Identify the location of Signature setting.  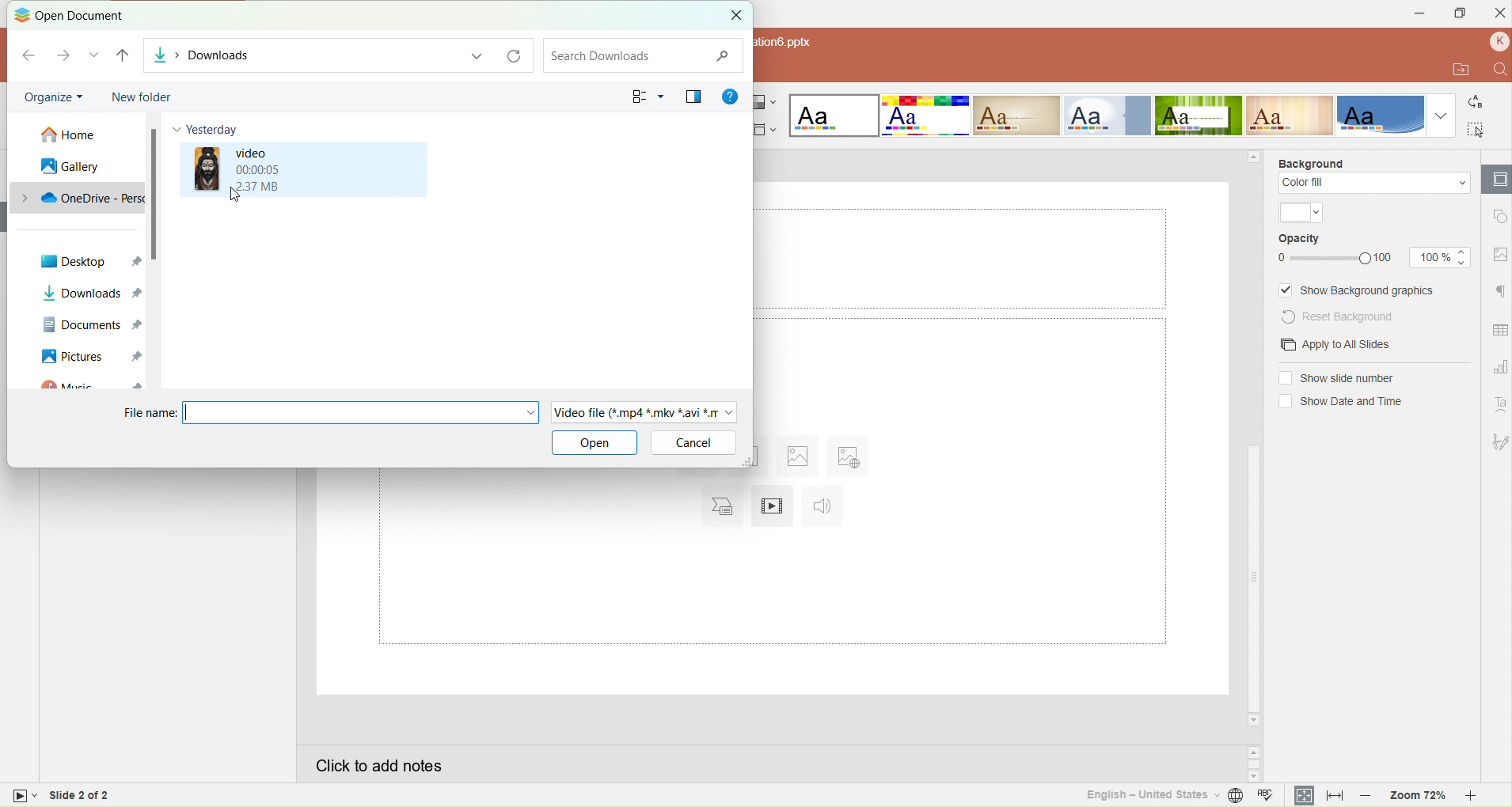
(1498, 438).